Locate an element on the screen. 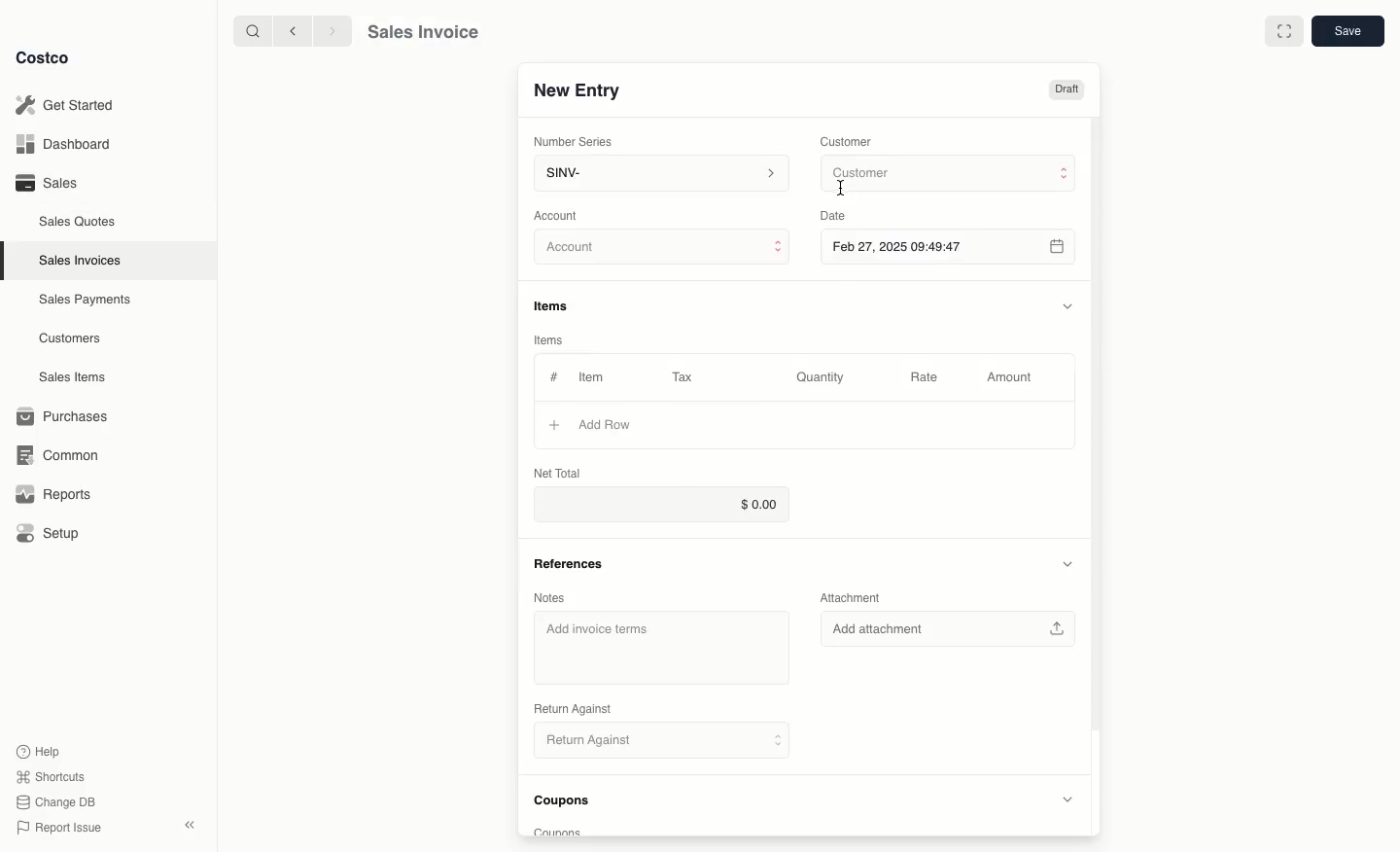  Quantity is located at coordinates (822, 377).